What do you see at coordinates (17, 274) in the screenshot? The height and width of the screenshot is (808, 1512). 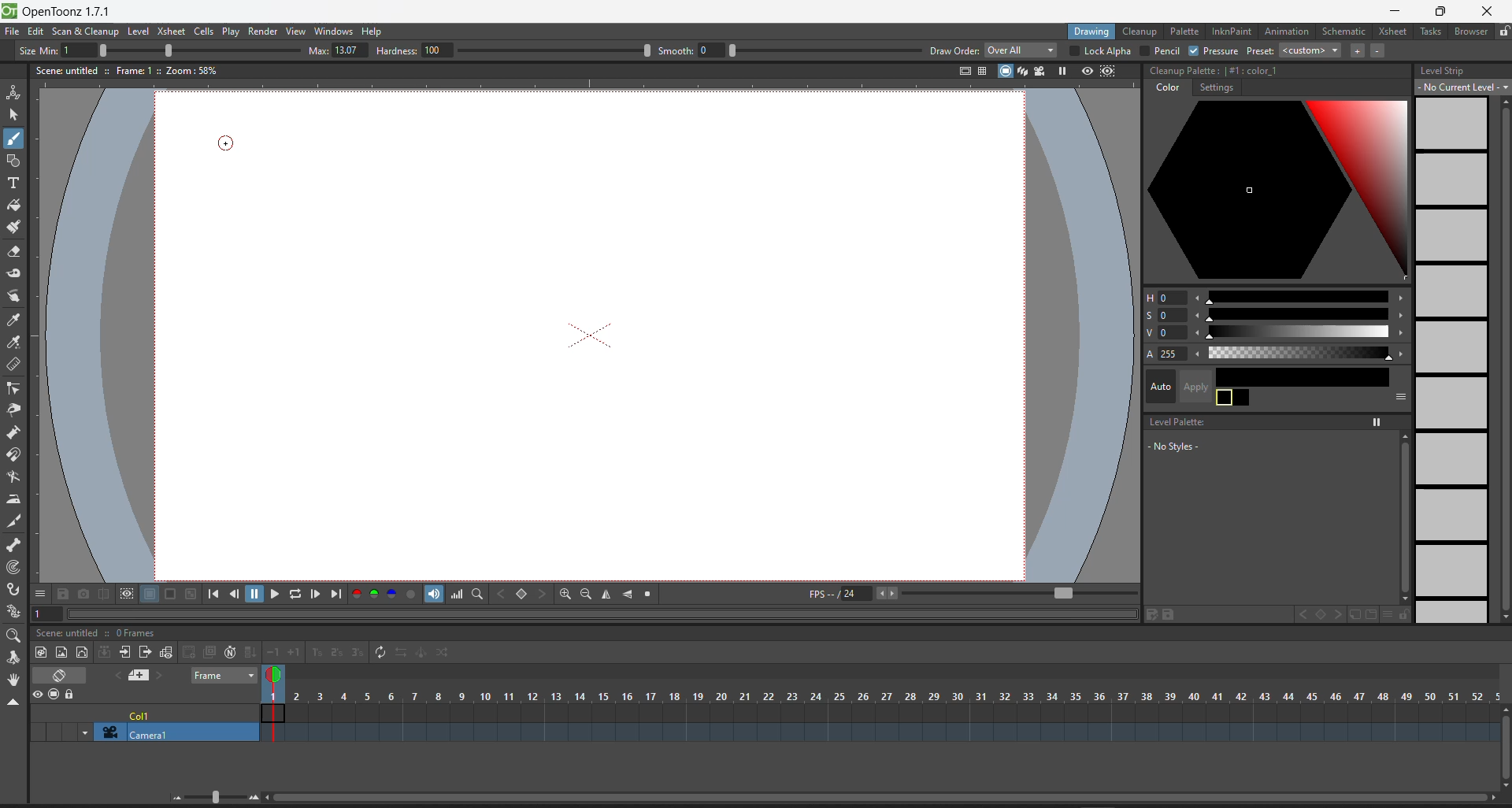 I see `tape tool` at bounding box center [17, 274].